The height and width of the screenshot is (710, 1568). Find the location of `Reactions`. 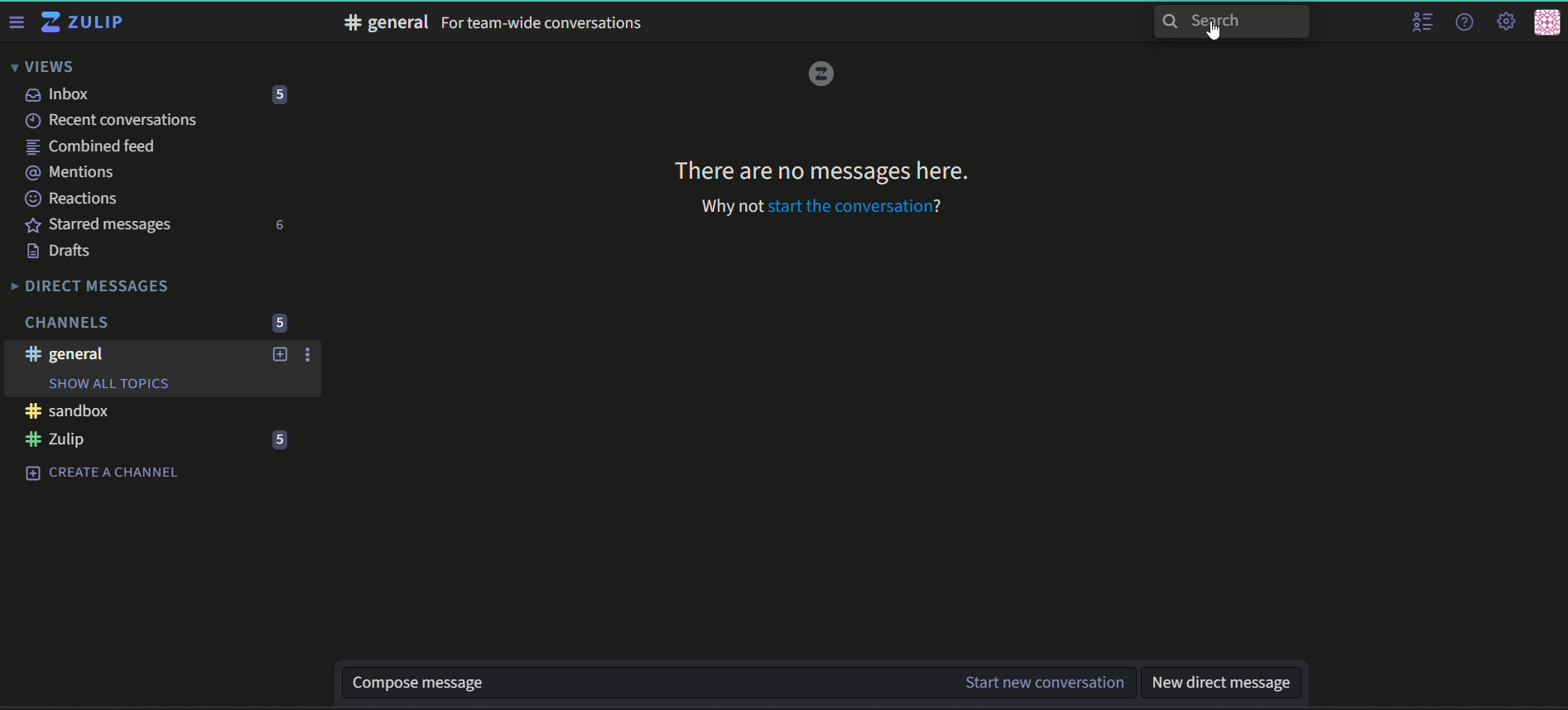

Reactions is located at coordinates (74, 199).